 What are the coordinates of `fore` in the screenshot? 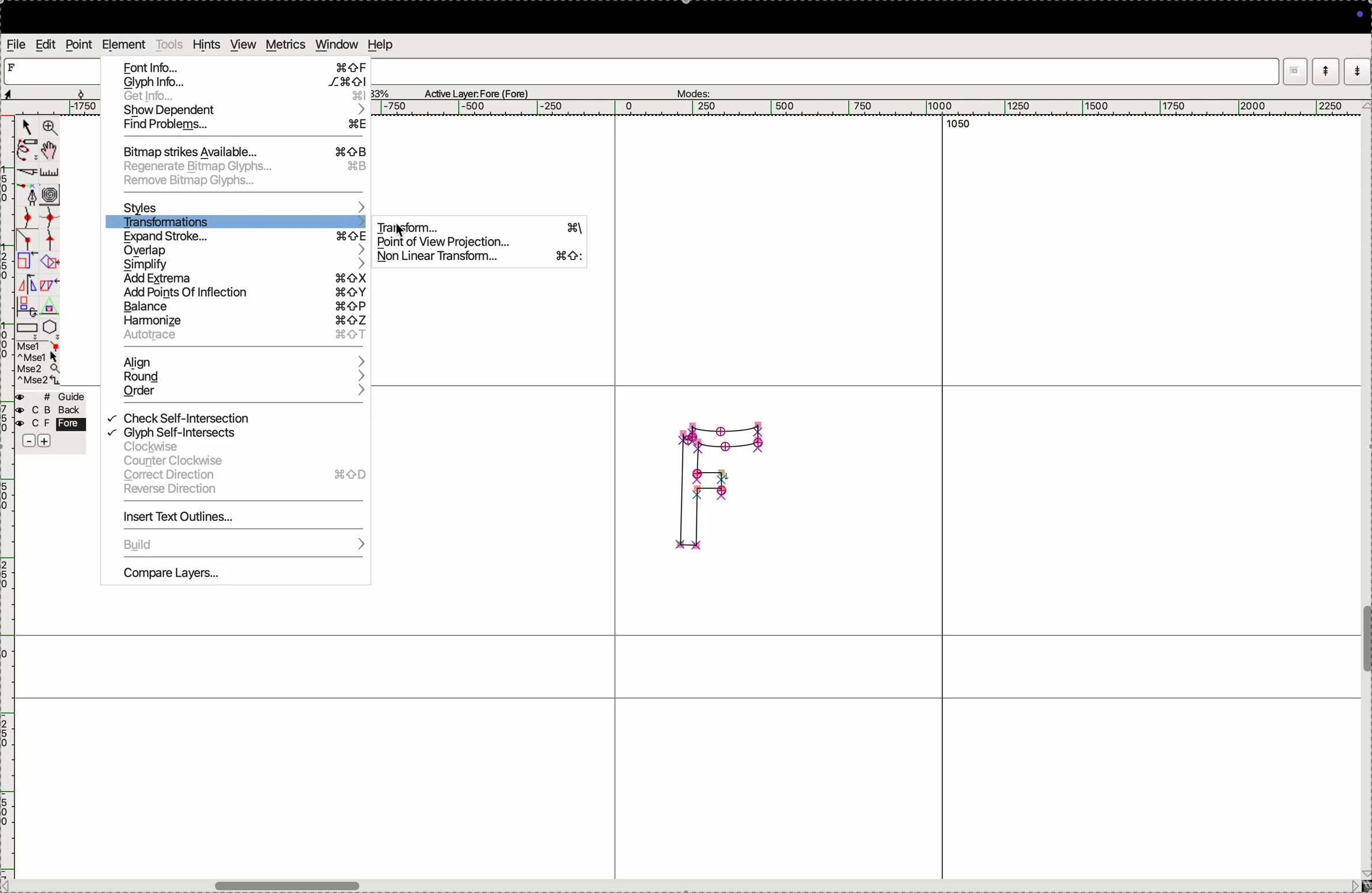 It's located at (52, 425).